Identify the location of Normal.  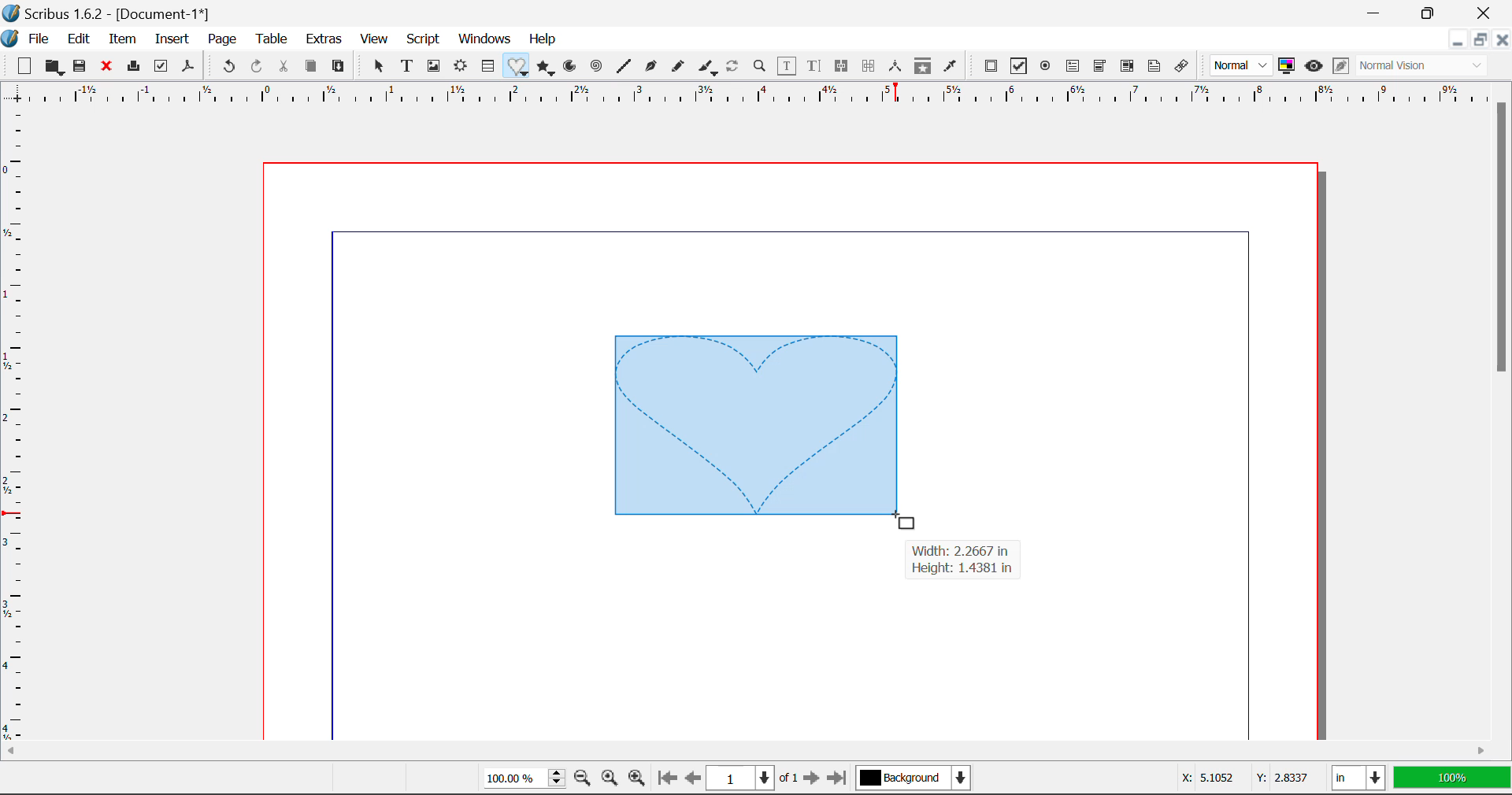
(1243, 65).